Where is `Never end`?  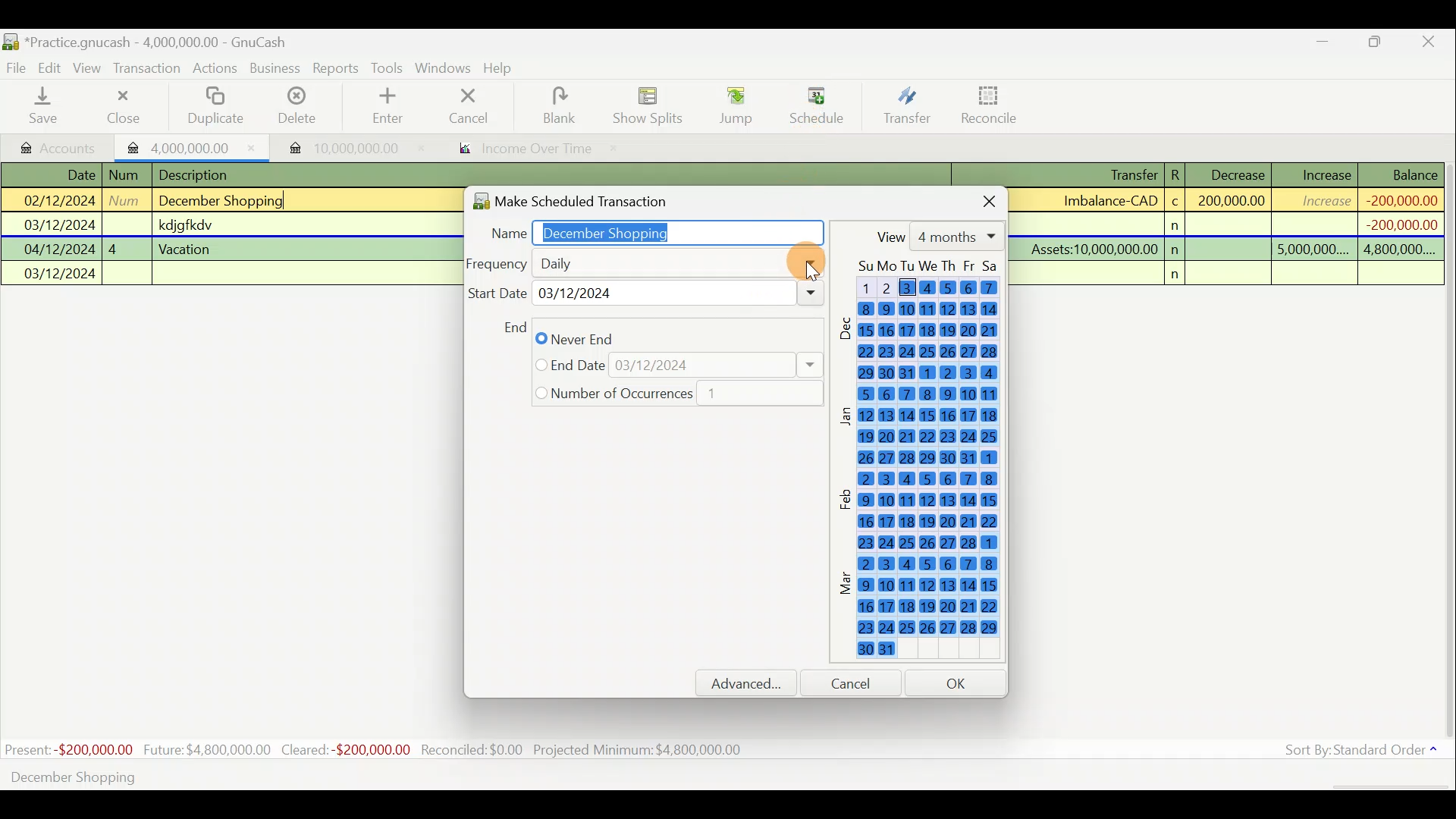 Never end is located at coordinates (589, 339).